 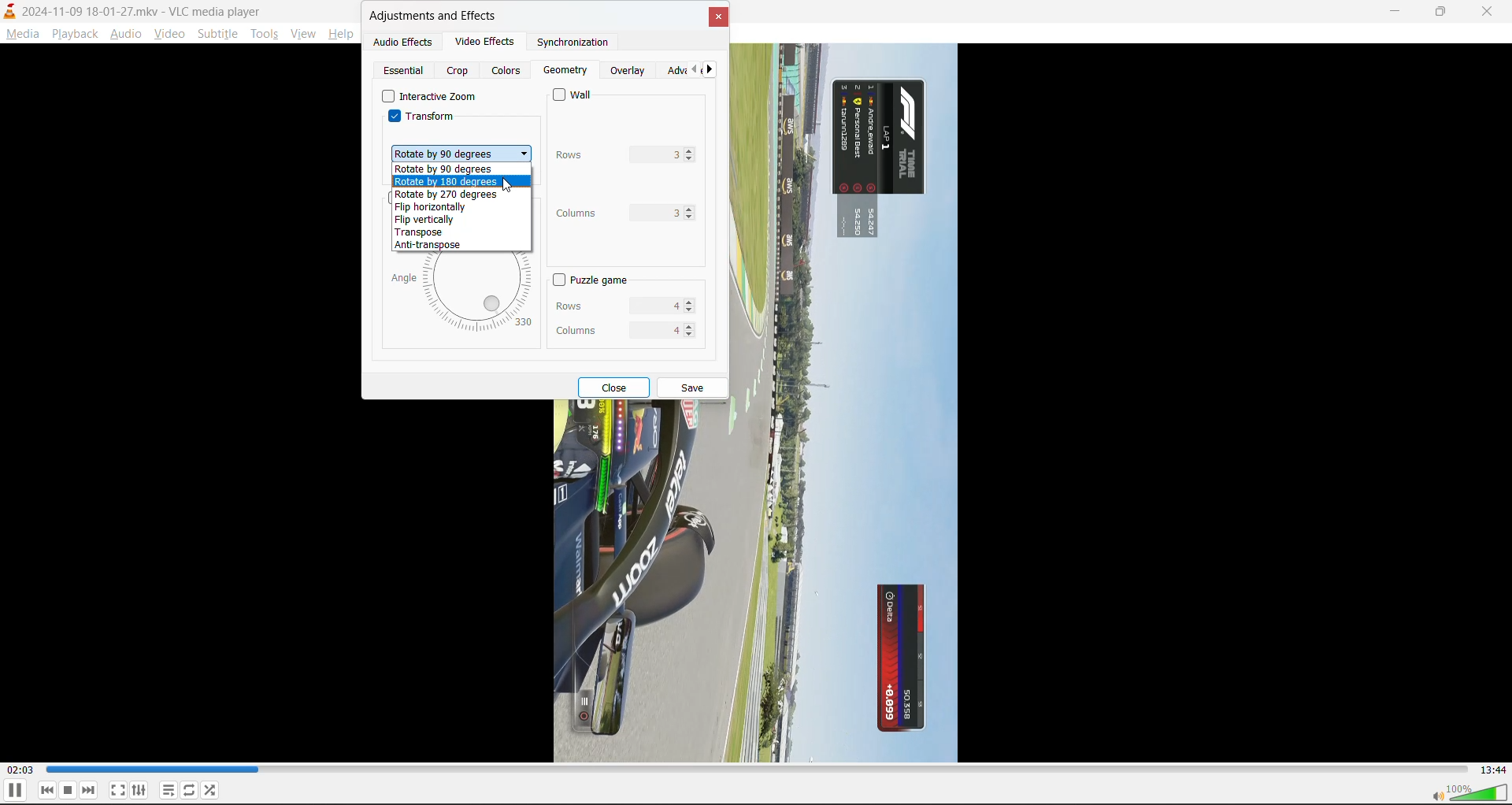 I want to click on random, so click(x=211, y=789).